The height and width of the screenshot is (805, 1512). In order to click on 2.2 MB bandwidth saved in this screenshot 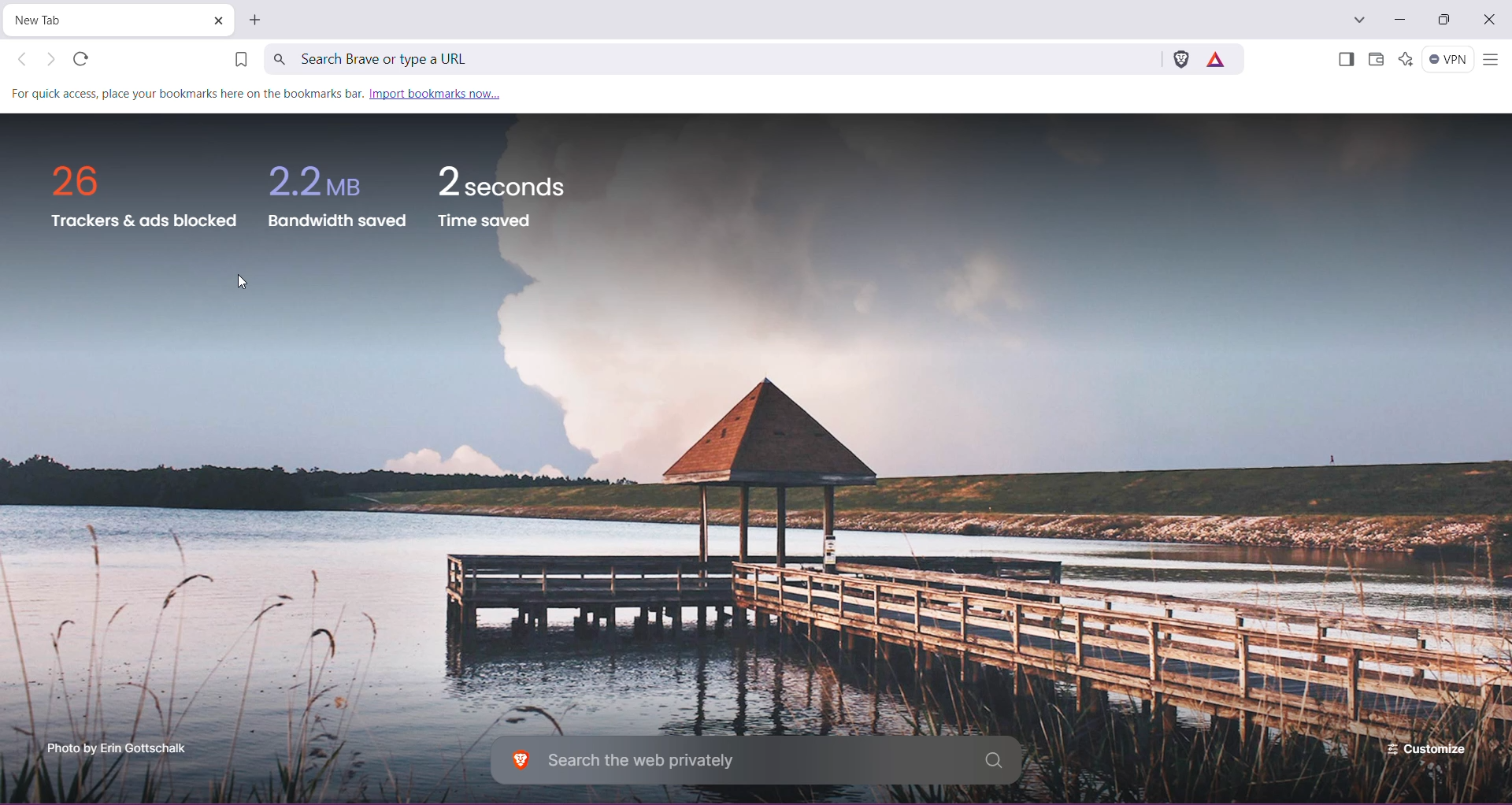, I will do `click(339, 197)`.